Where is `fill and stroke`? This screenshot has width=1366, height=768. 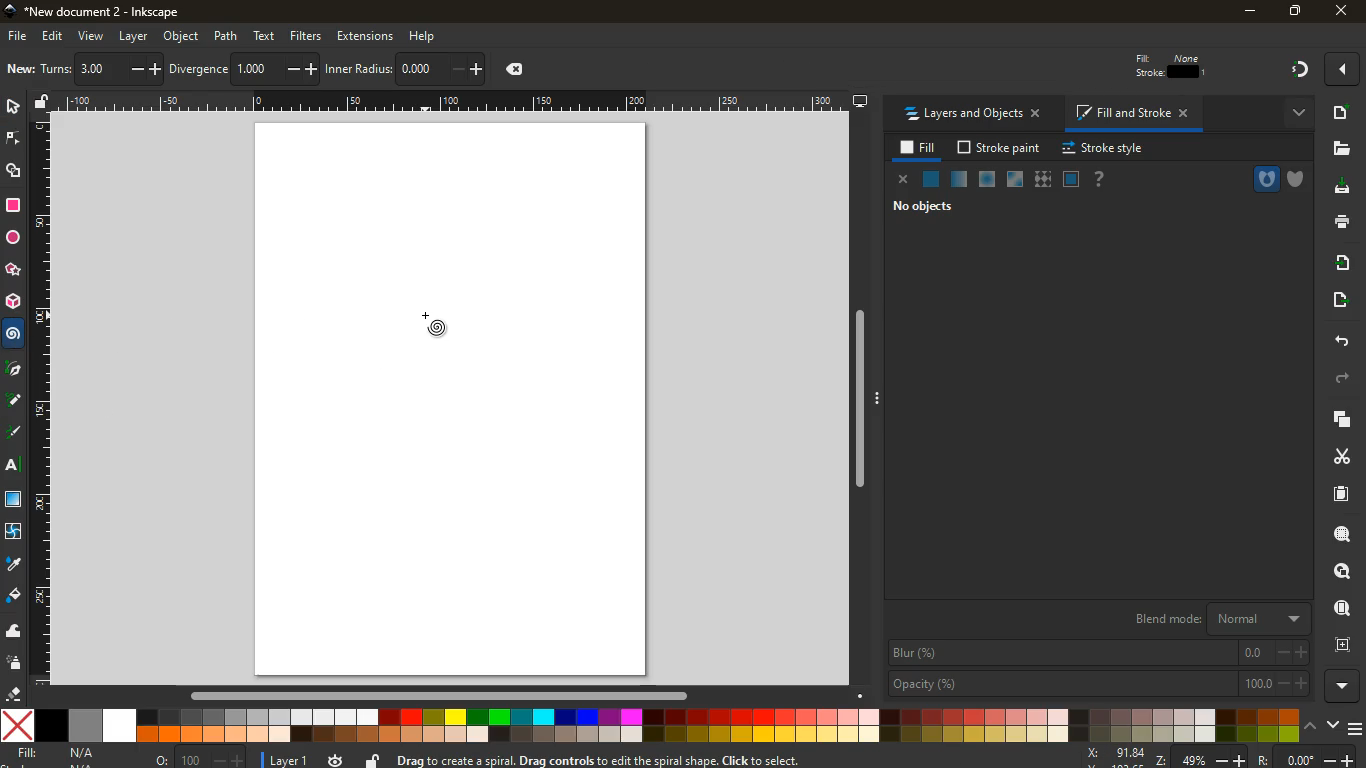
fill and stroke is located at coordinates (1131, 114).